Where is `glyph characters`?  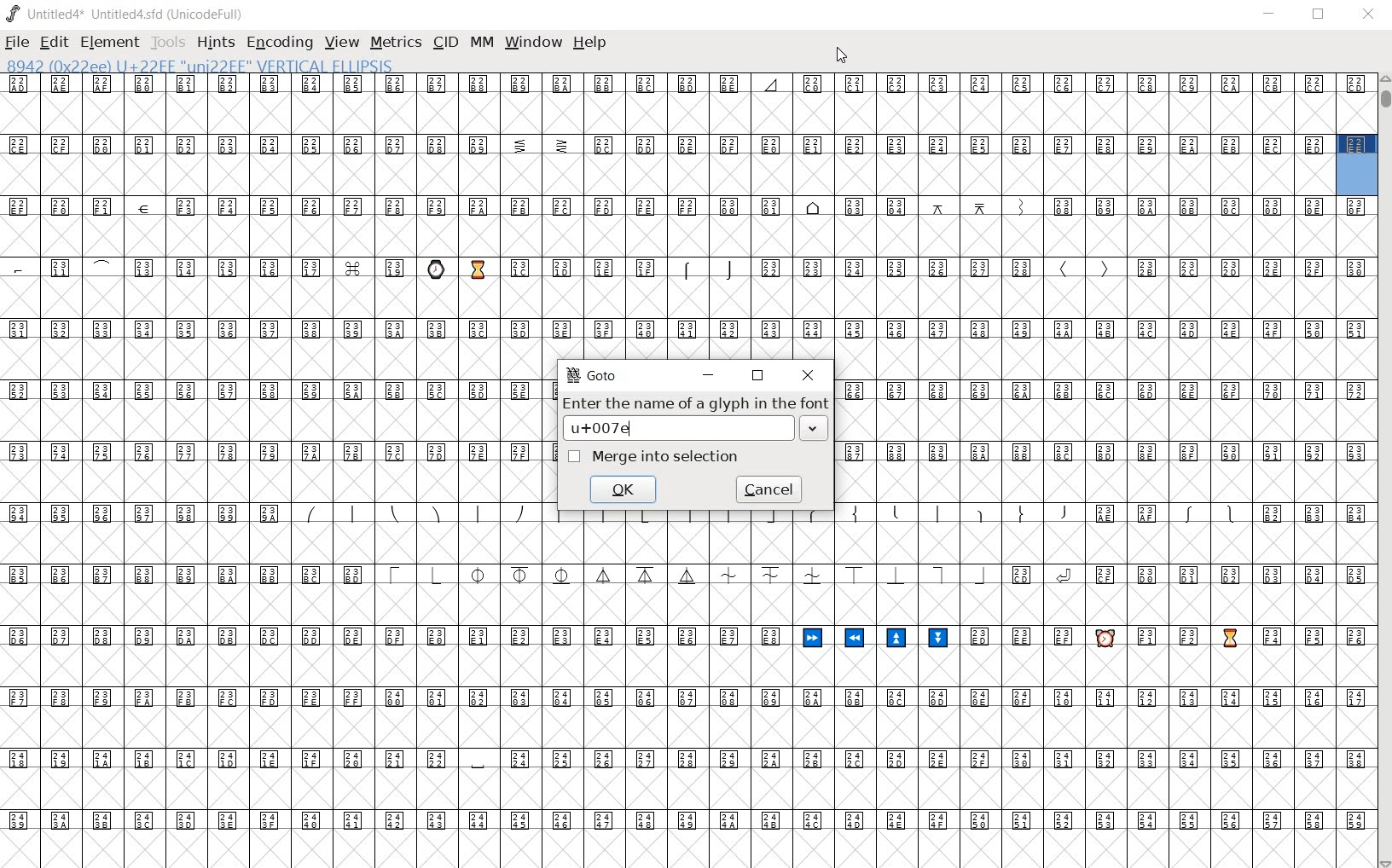
glyph characters is located at coordinates (956, 694).